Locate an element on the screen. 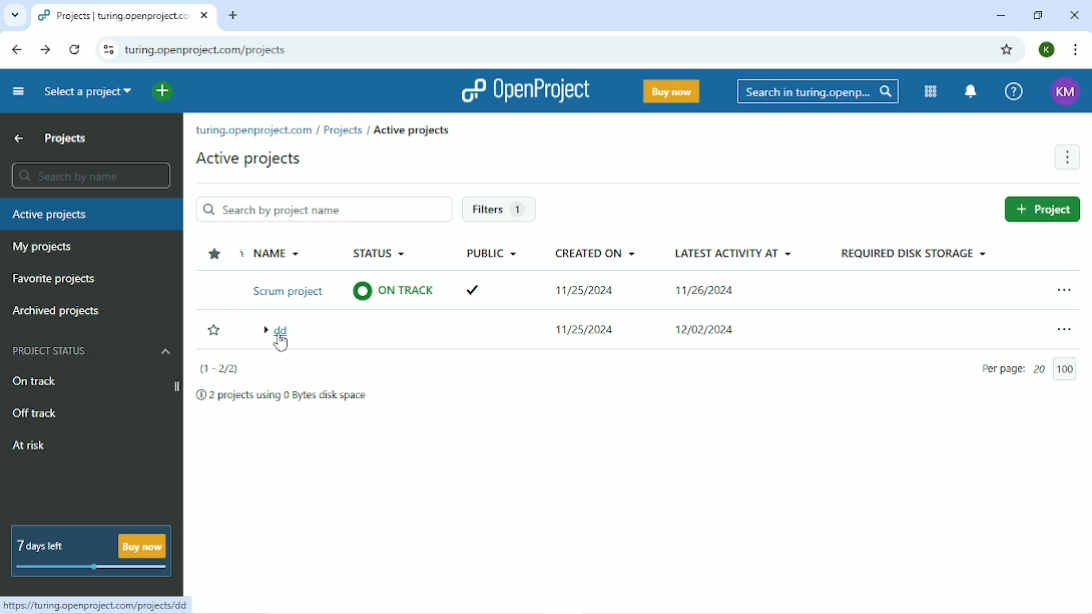  12/02/2024 is located at coordinates (710, 326).